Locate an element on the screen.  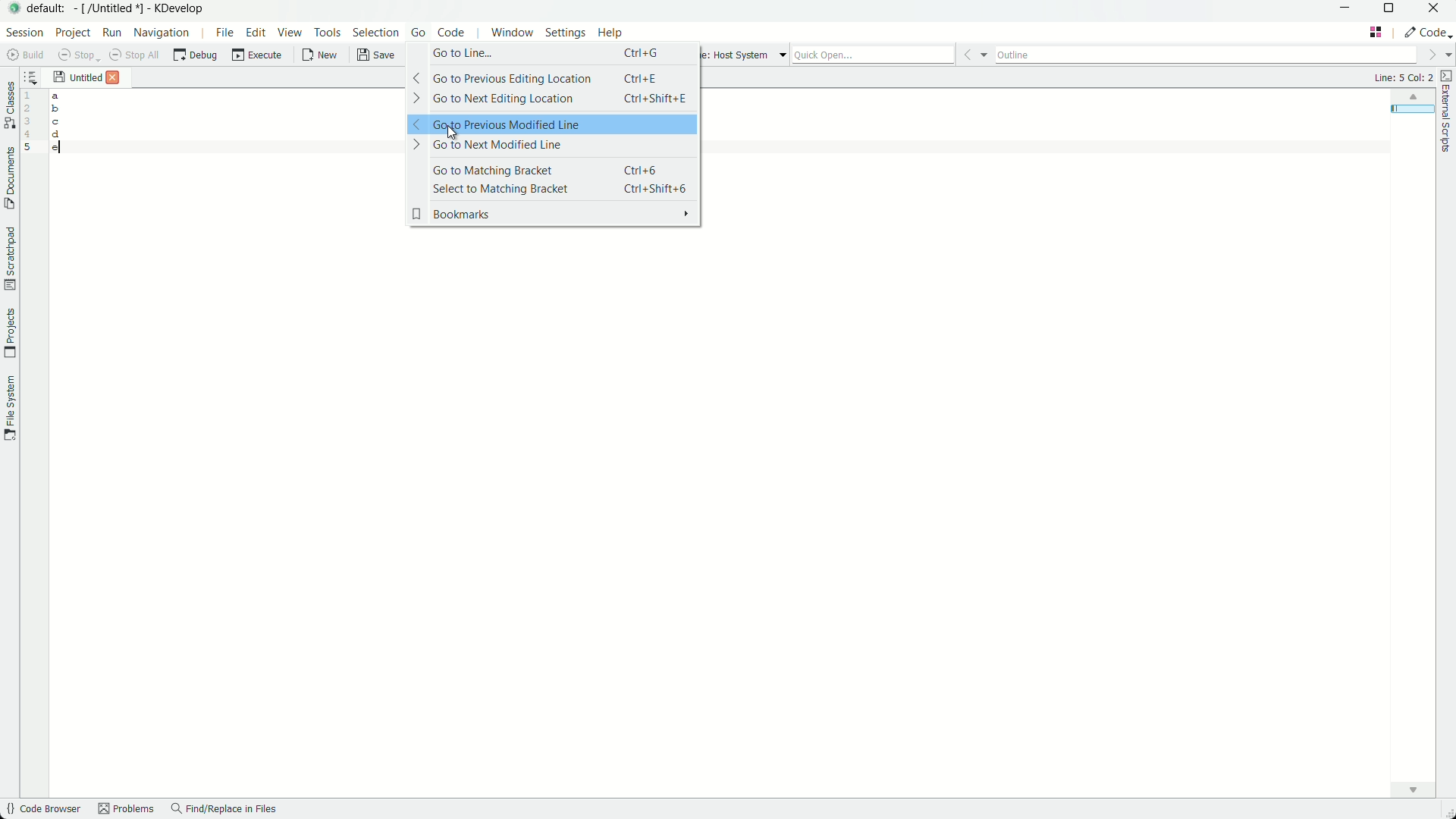
code browser is located at coordinates (42, 810).